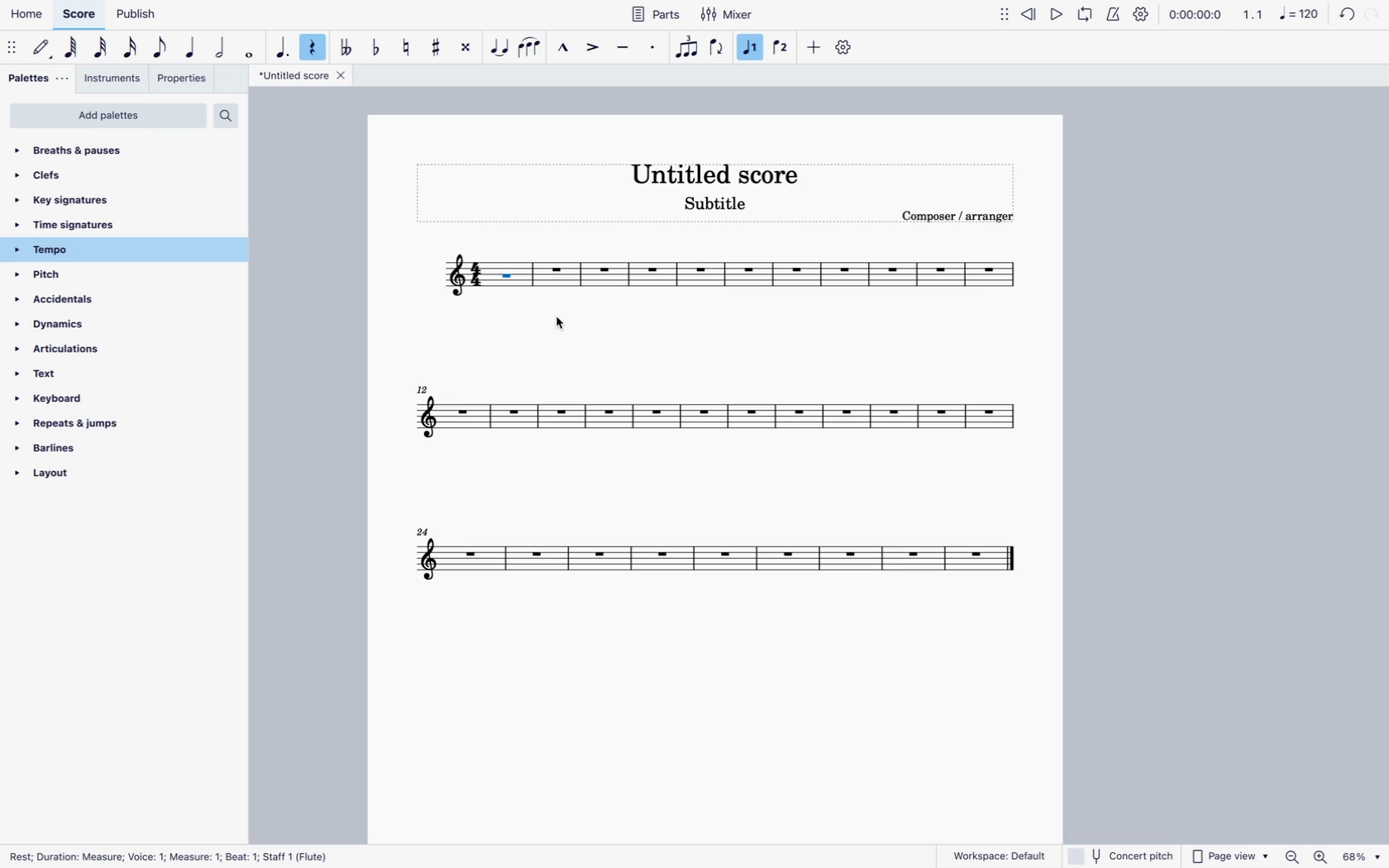 Image resolution: width=1389 pixels, height=868 pixels. Describe the element at coordinates (685, 47) in the screenshot. I see `tuplet` at that location.